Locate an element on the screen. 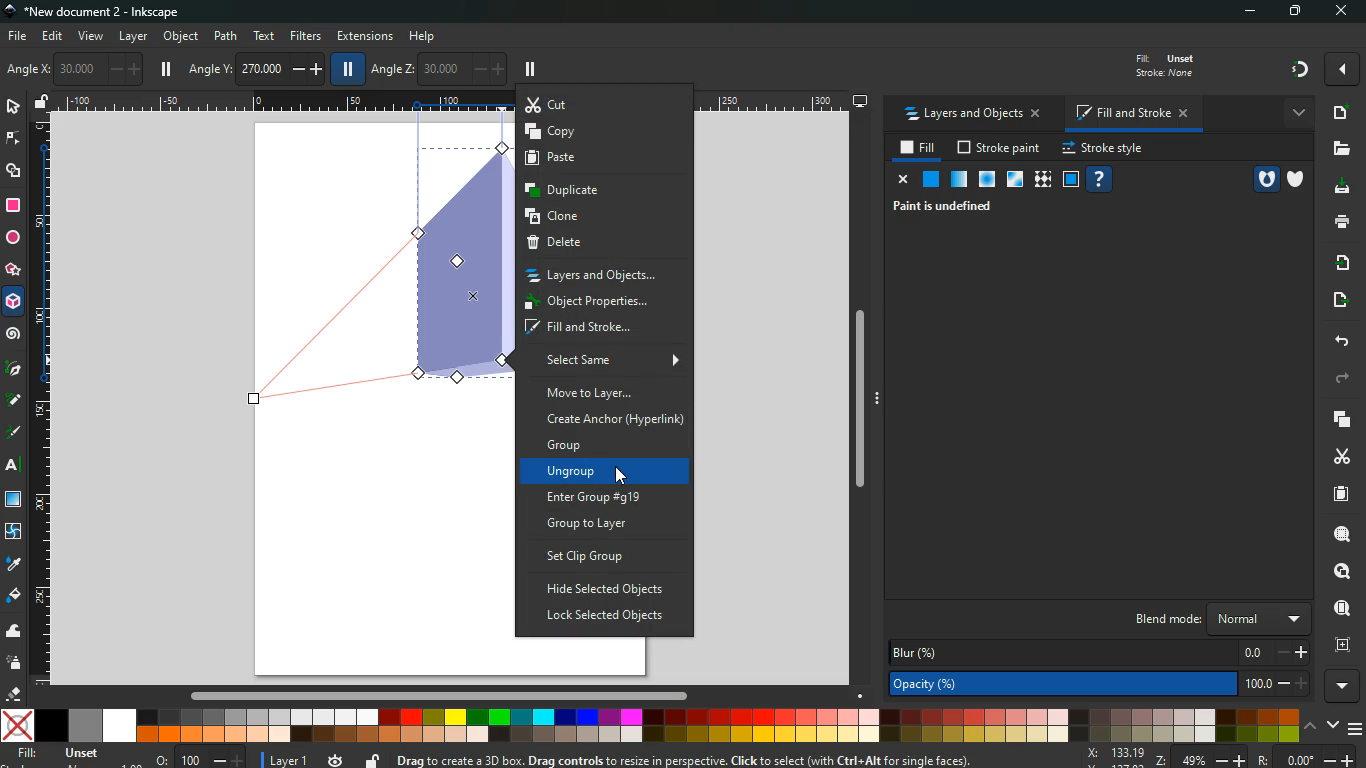 This screenshot has width=1366, height=768. gradient is located at coordinates (1301, 68).